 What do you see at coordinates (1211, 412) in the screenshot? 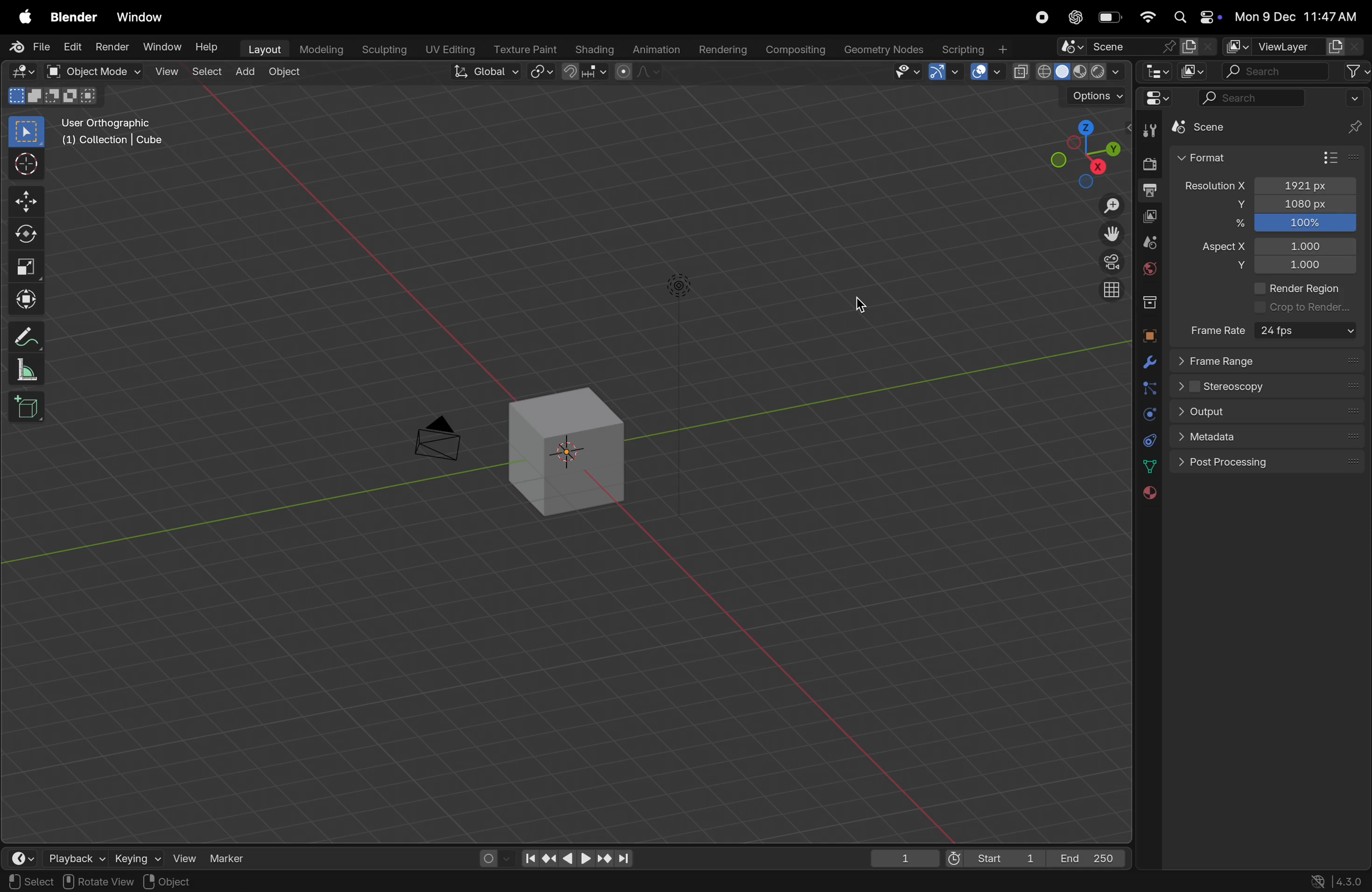
I see `output` at bounding box center [1211, 412].